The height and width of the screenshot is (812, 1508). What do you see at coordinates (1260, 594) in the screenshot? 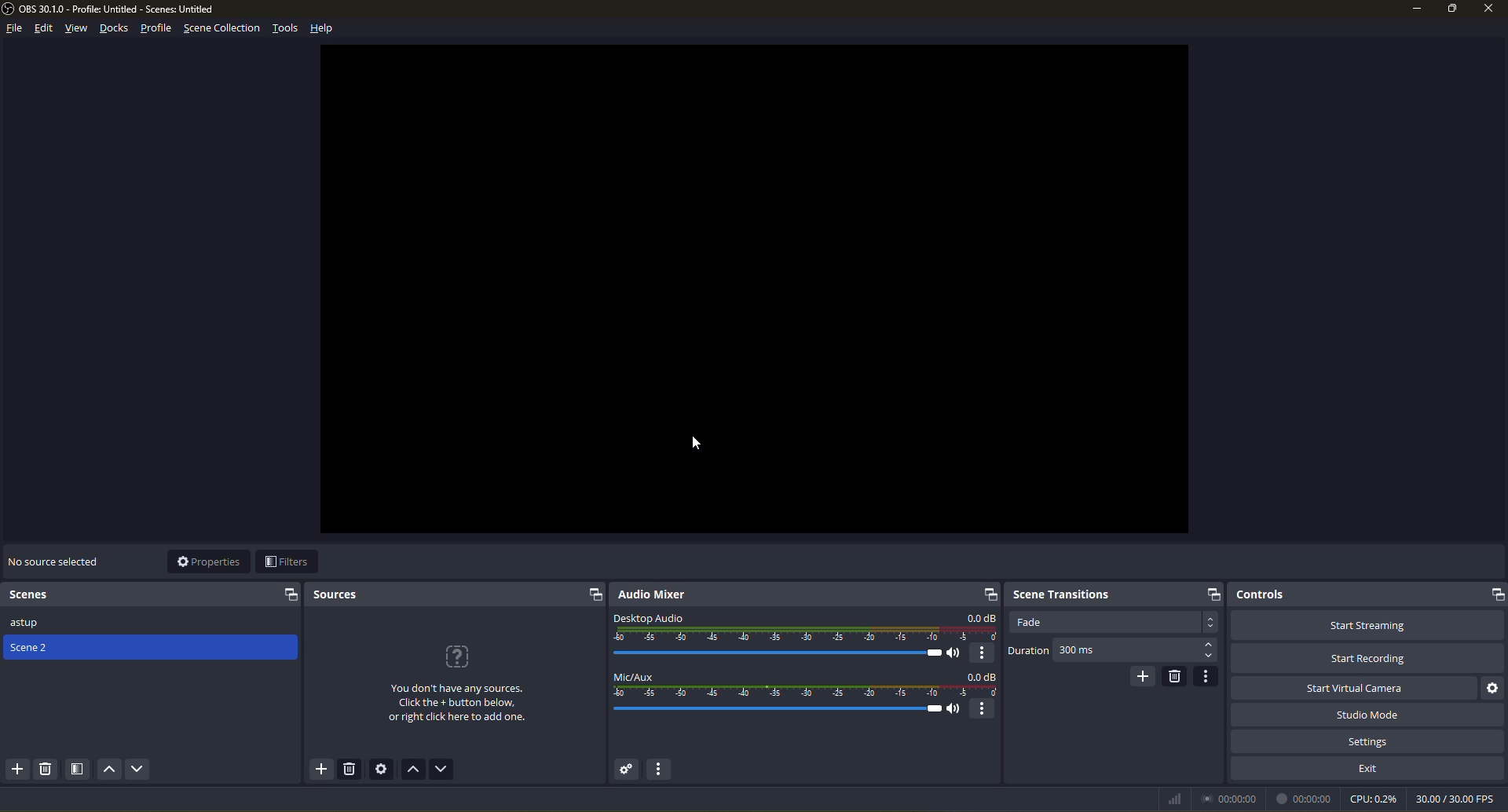
I see `controls` at bounding box center [1260, 594].